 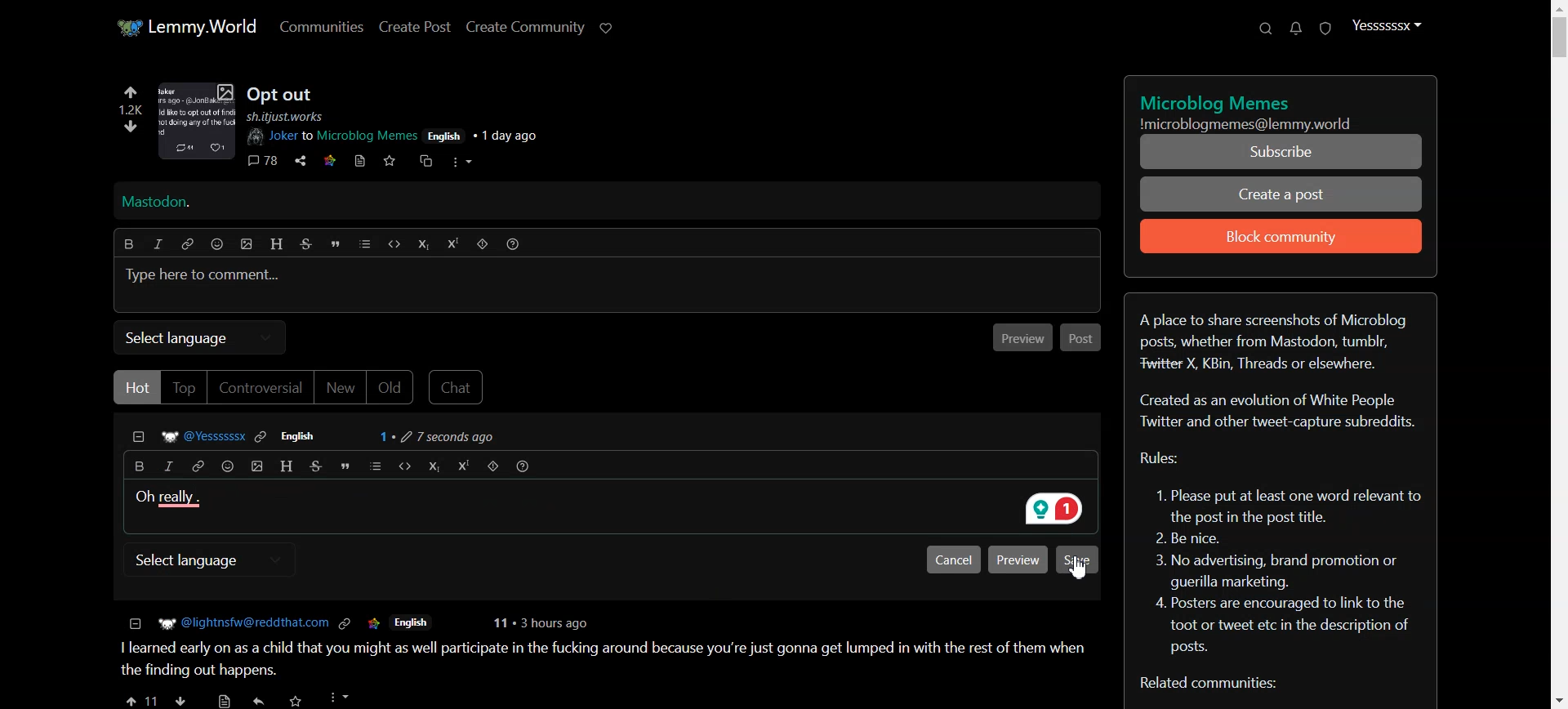 What do you see at coordinates (254, 466) in the screenshot?
I see `insert picture` at bounding box center [254, 466].